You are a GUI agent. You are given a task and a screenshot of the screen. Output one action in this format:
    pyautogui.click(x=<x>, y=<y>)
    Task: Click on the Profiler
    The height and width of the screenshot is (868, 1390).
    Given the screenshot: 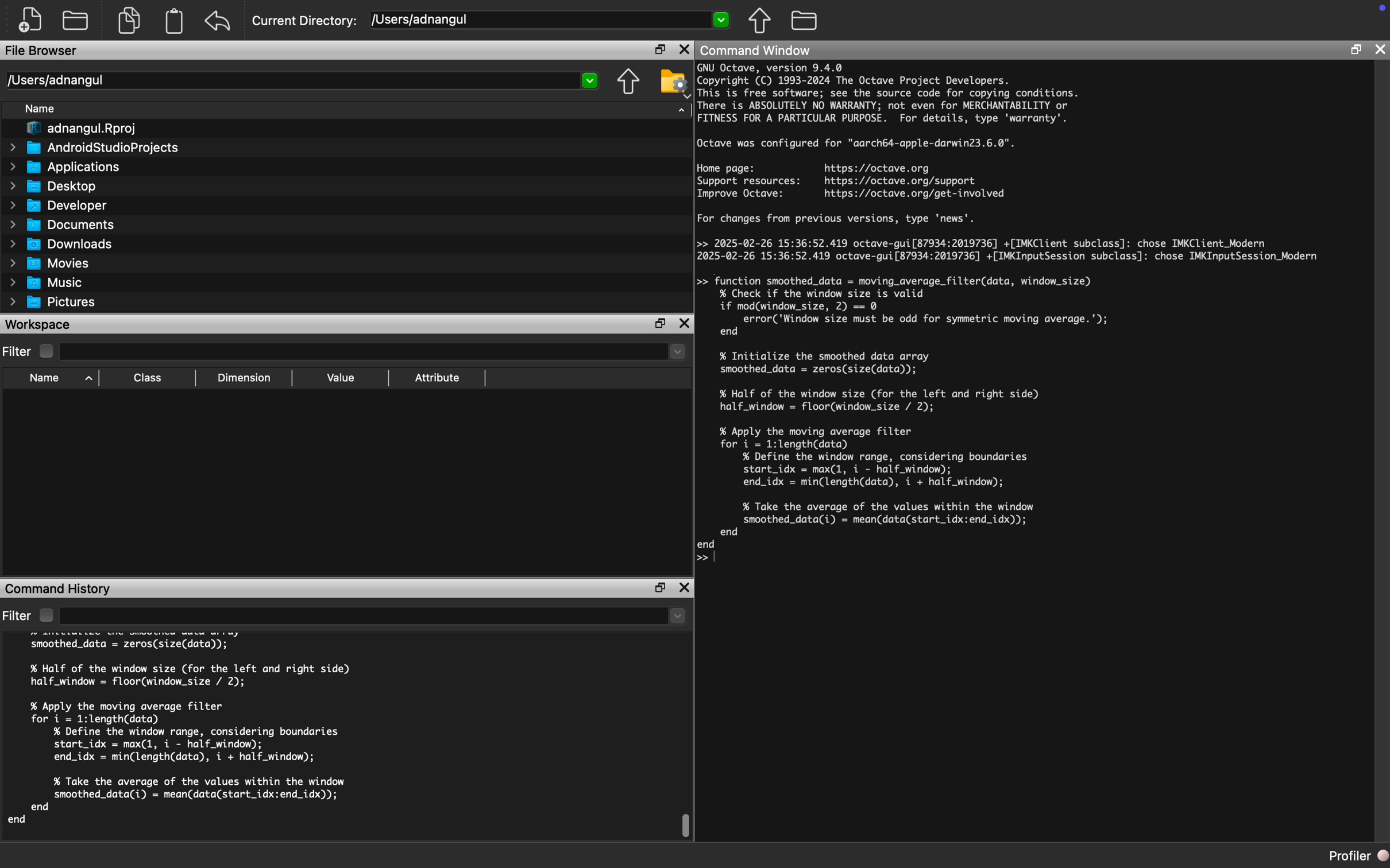 What is the action you would take?
    pyautogui.click(x=1357, y=856)
    